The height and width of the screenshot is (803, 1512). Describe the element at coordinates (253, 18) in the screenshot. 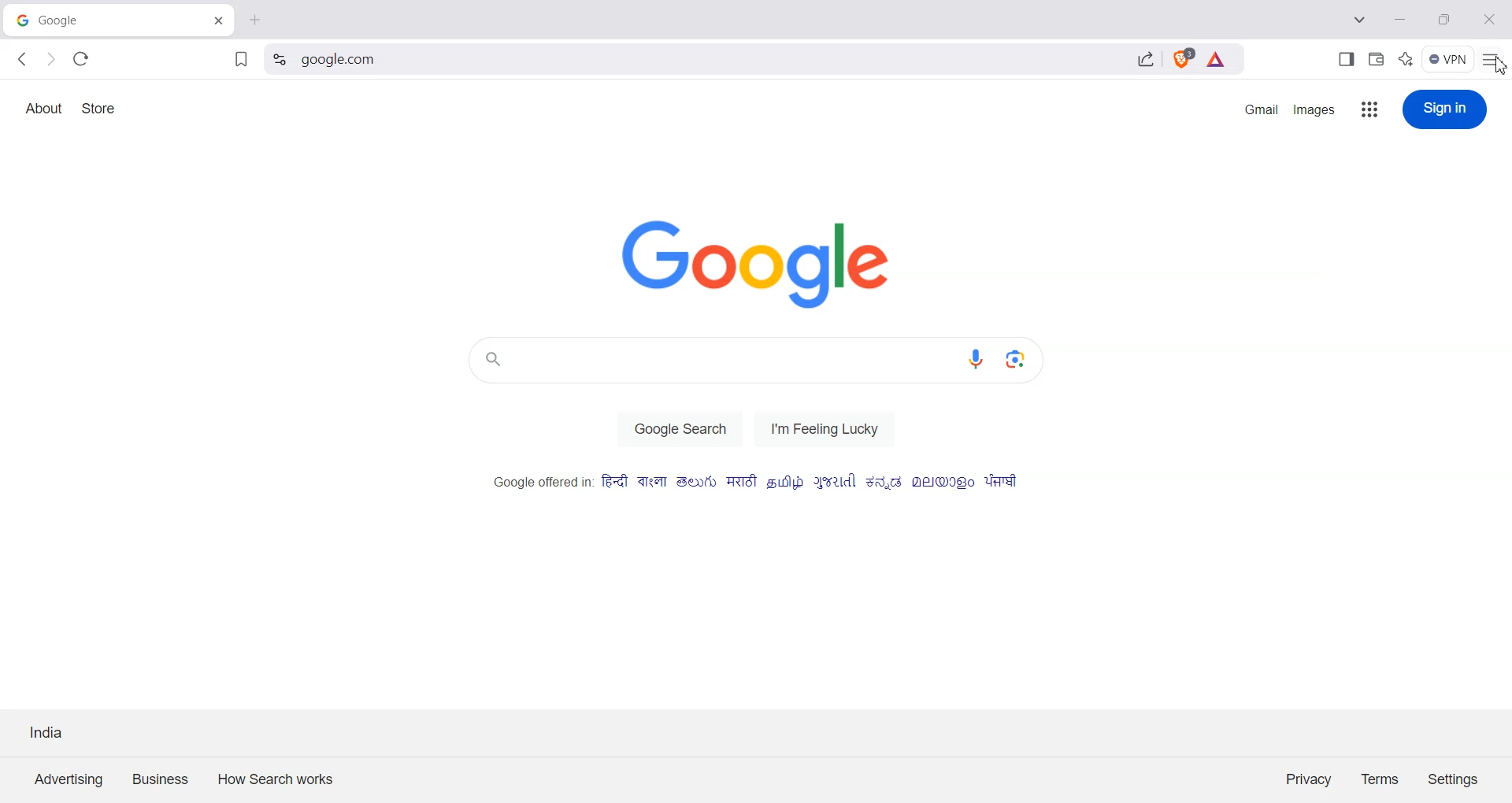

I see `Close Tab` at that location.